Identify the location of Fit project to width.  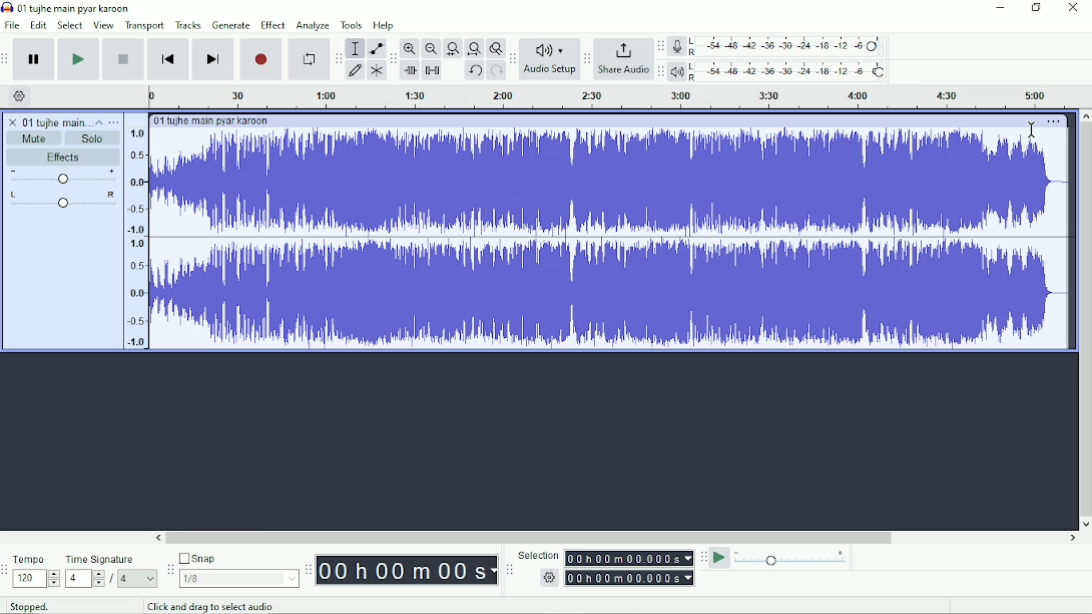
(474, 48).